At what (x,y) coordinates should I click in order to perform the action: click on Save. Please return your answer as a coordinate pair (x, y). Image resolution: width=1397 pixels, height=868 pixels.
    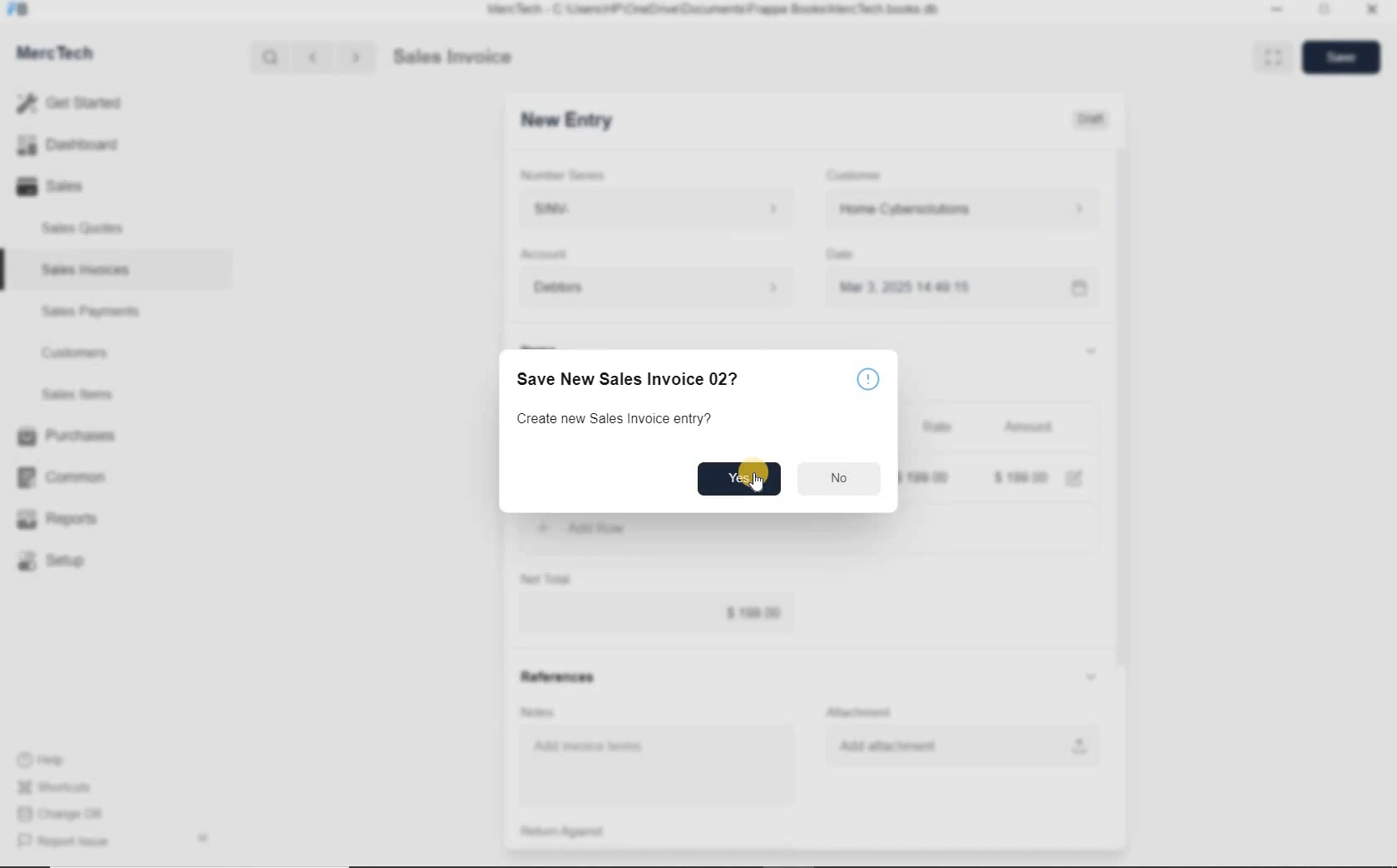
    Looking at the image, I should click on (1340, 57).